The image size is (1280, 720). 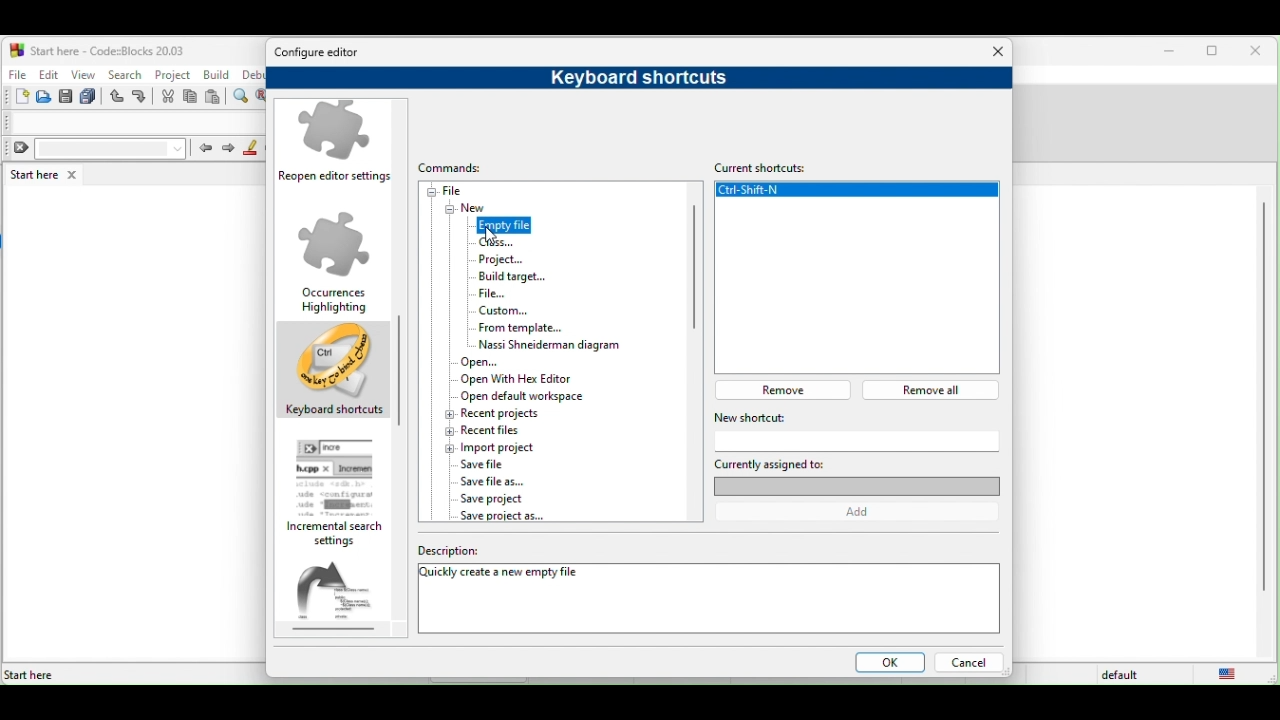 I want to click on Close, so click(x=999, y=52).